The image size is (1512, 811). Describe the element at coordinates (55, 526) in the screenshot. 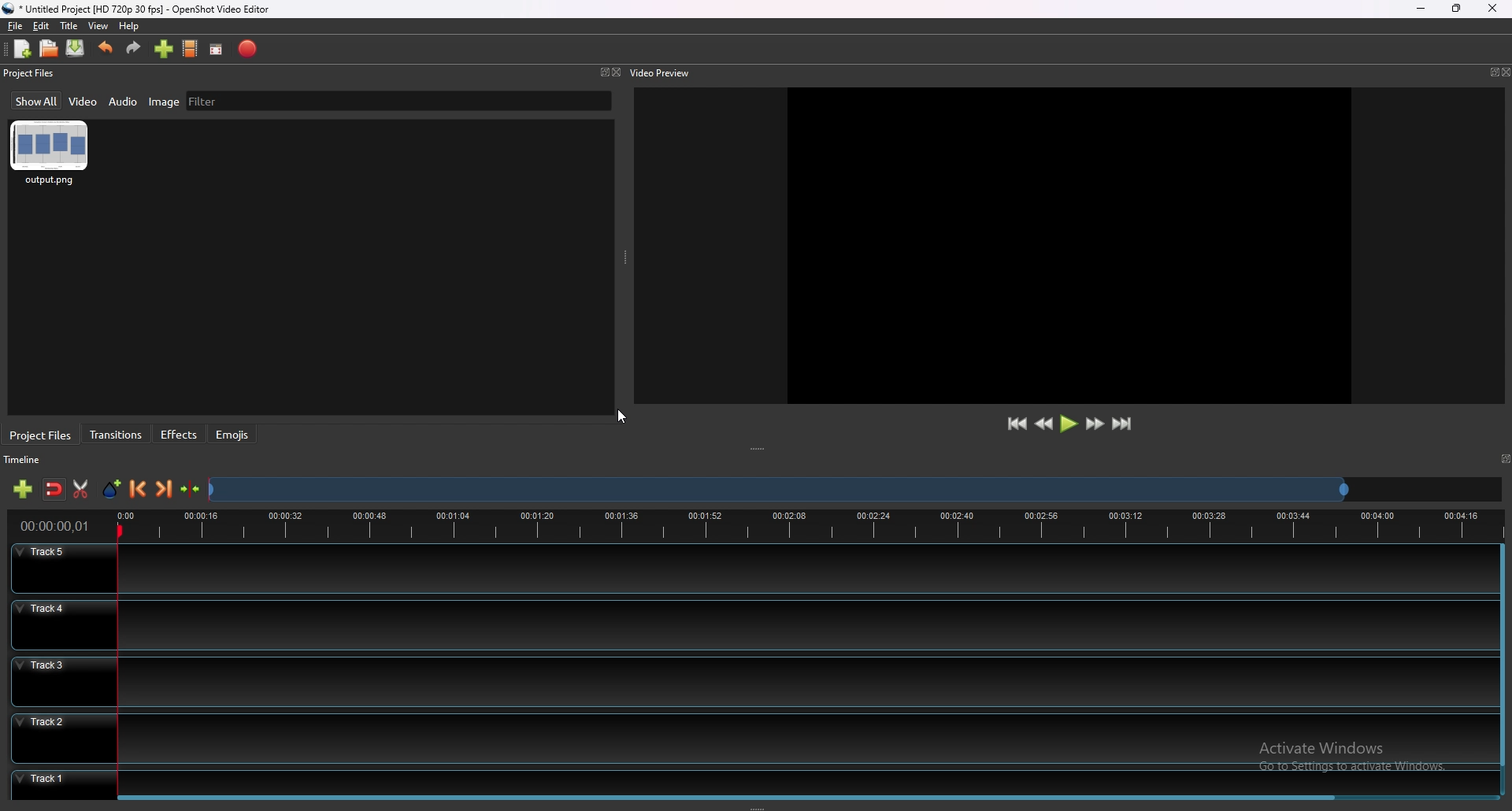

I see `time` at that location.